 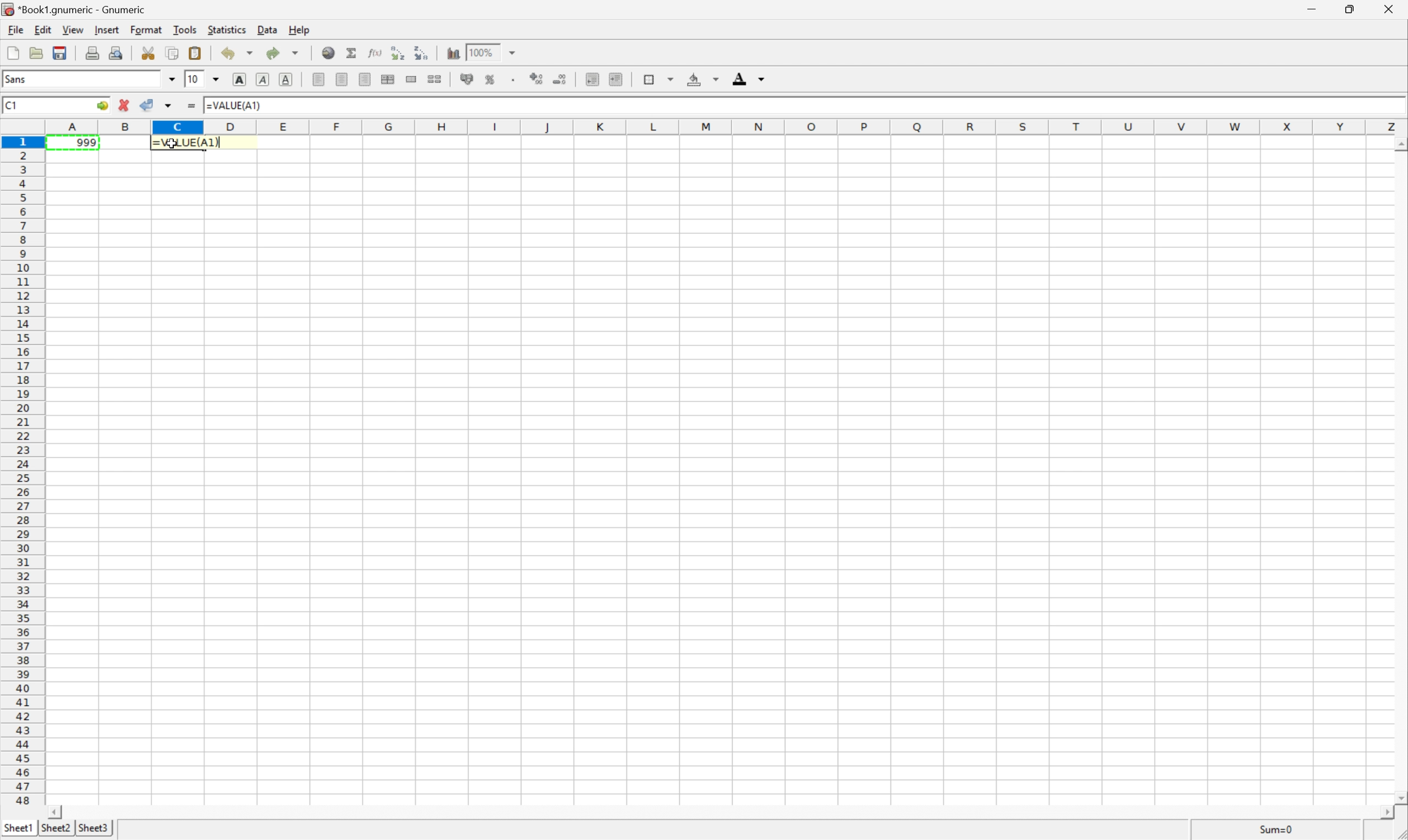 What do you see at coordinates (729, 127) in the screenshot?
I see `column names` at bounding box center [729, 127].